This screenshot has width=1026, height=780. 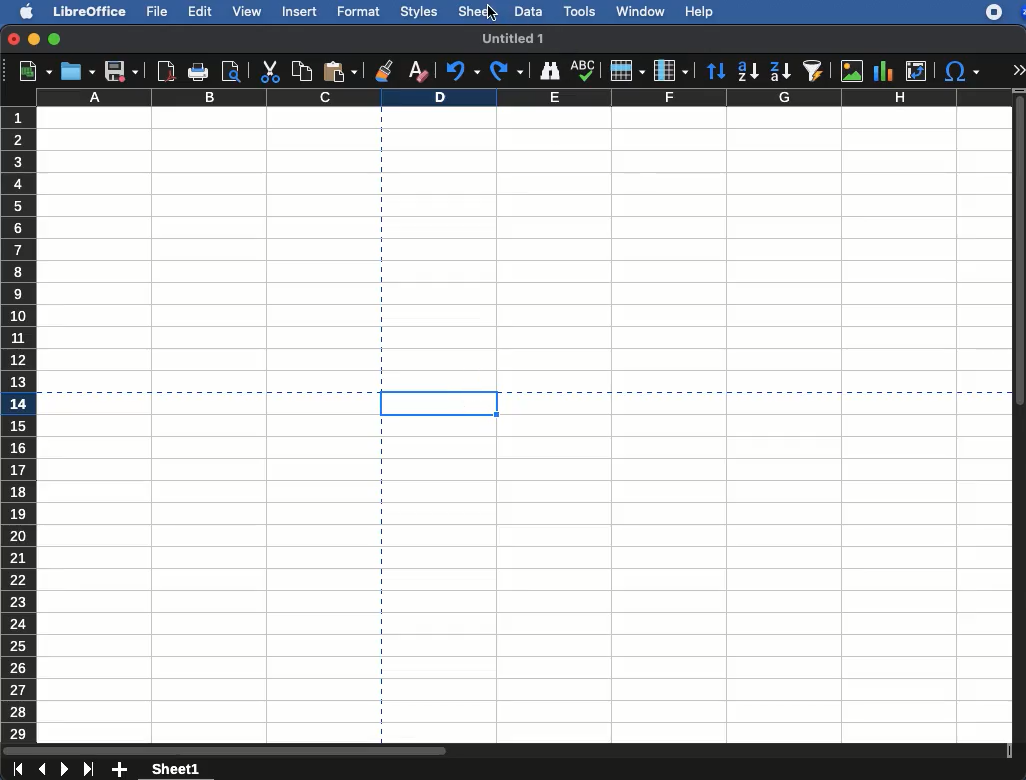 What do you see at coordinates (90, 10) in the screenshot?
I see `libreoffice` at bounding box center [90, 10].